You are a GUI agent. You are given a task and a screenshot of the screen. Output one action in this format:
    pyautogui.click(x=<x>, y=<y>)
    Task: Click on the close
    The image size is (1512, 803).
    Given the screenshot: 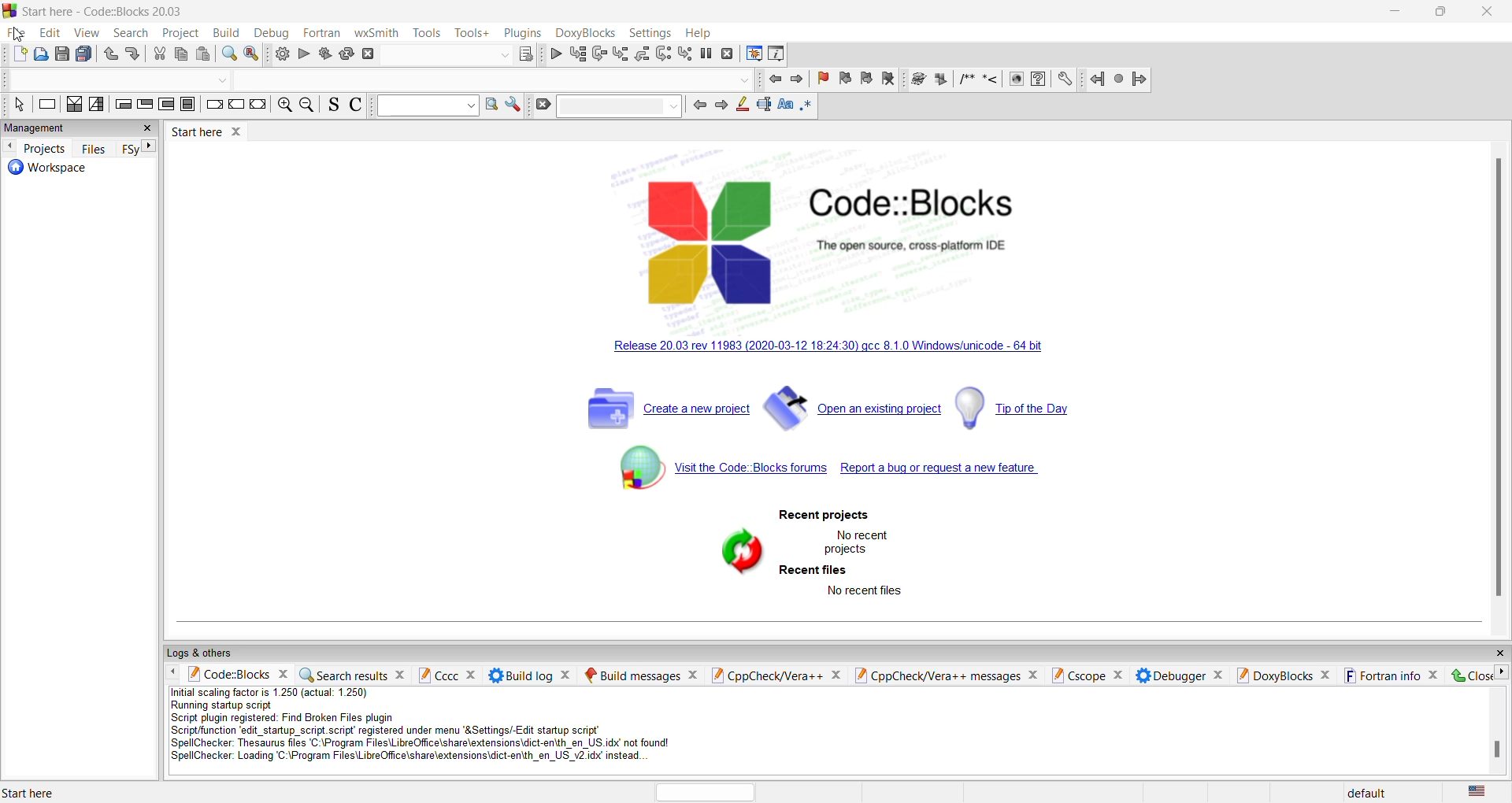 What is the action you would take?
    pyautogui.click(x=398, y=676)
    